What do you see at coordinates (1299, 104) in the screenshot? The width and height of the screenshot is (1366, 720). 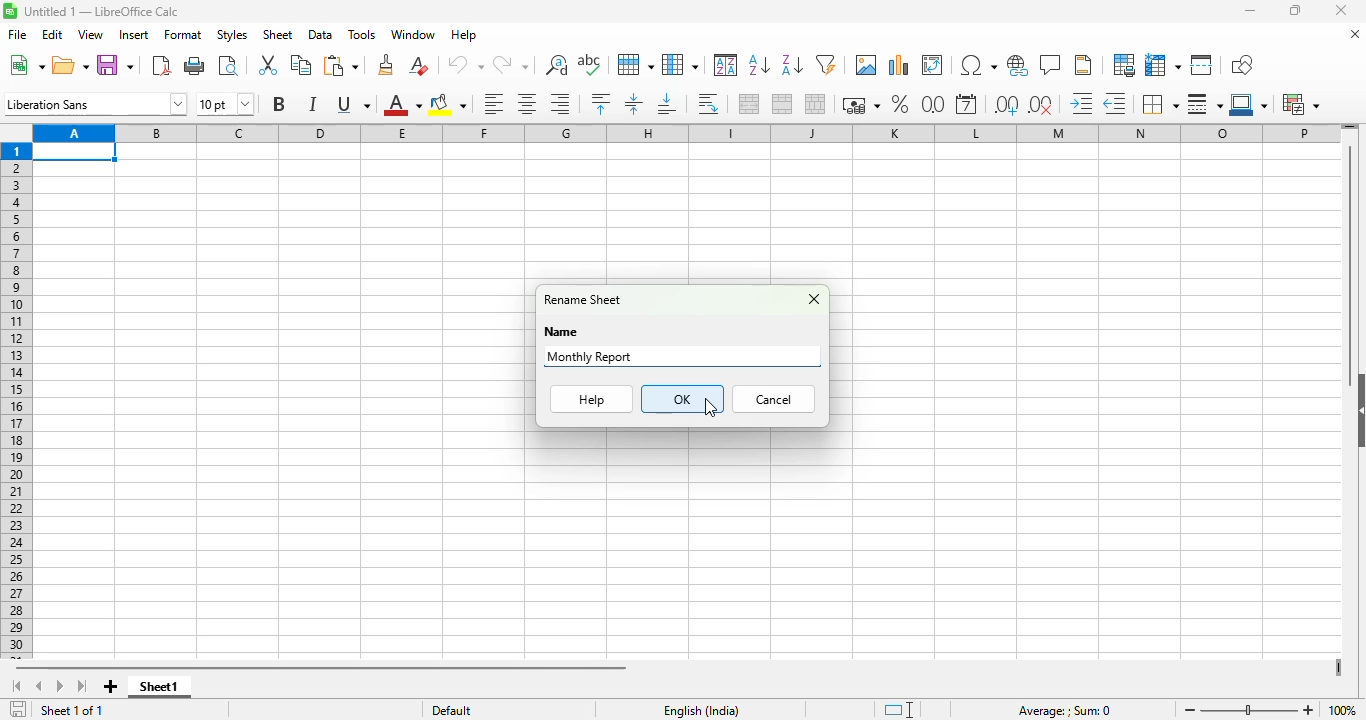 I see `conditional` at bounding box center [1299, 104].